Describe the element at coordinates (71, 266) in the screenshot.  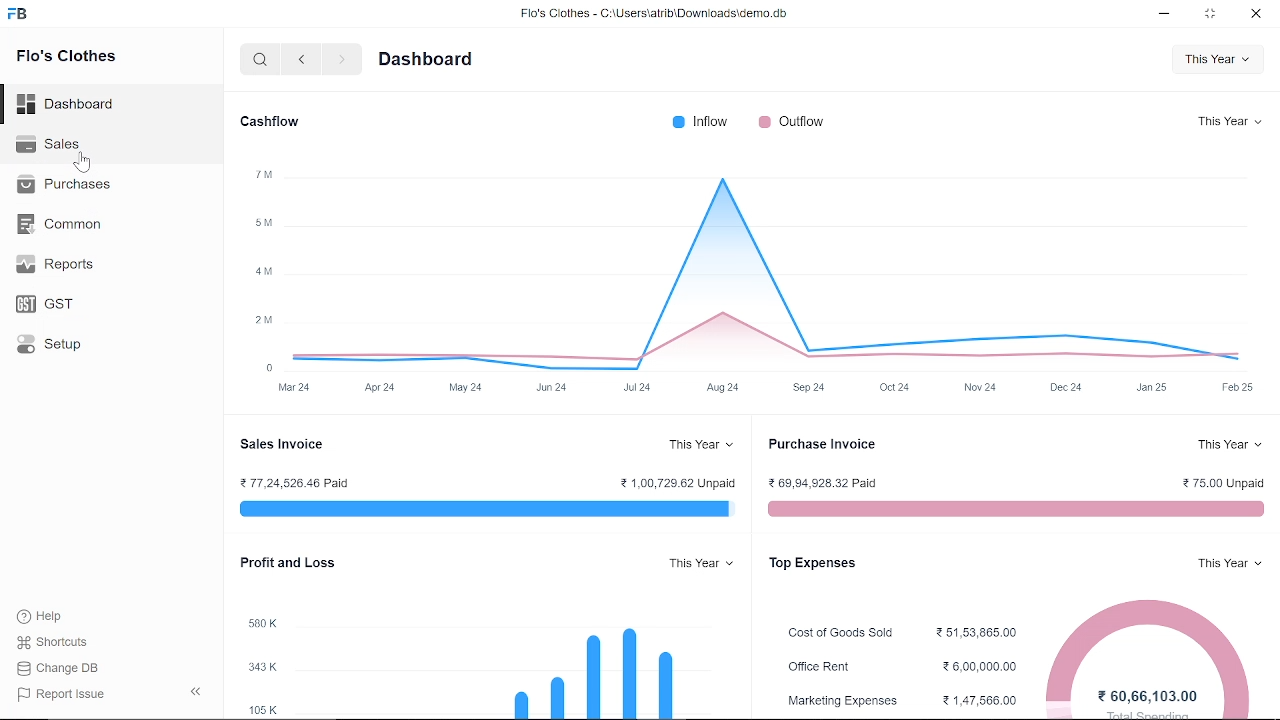
I see `Reports.` at that location.